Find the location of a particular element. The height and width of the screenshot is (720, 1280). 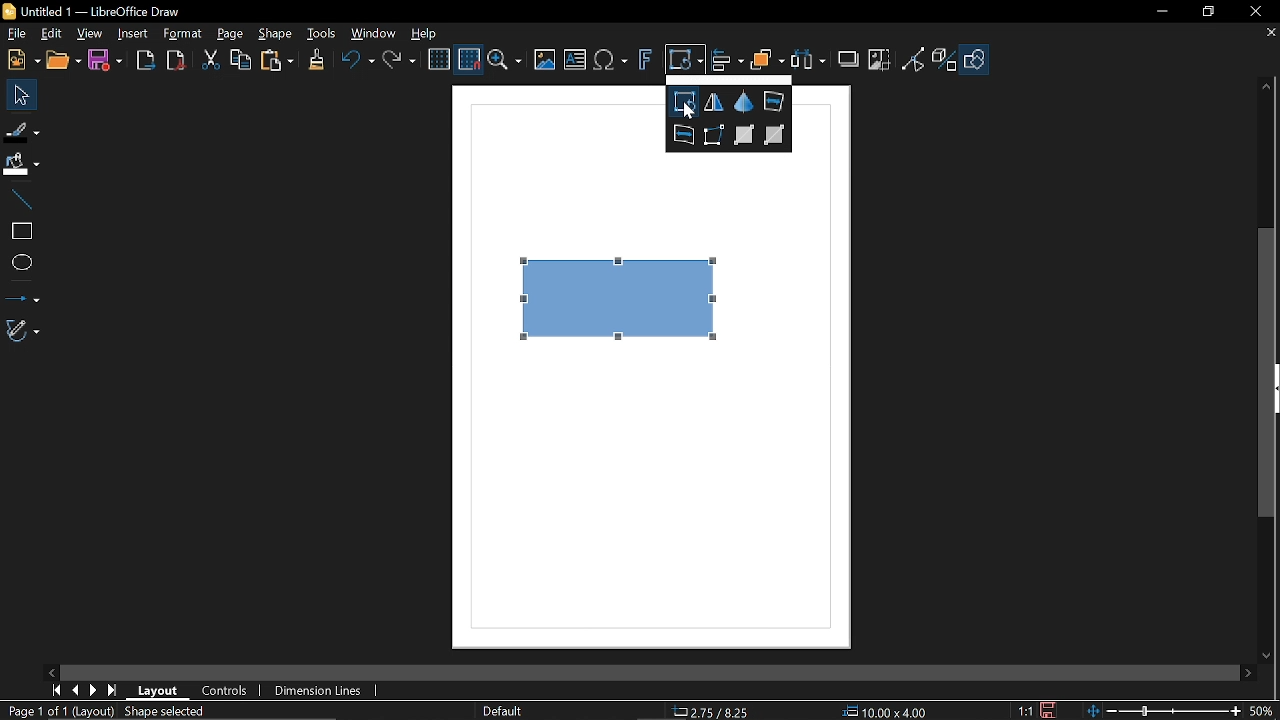

Set to circle is located at coordinates (683, 134).